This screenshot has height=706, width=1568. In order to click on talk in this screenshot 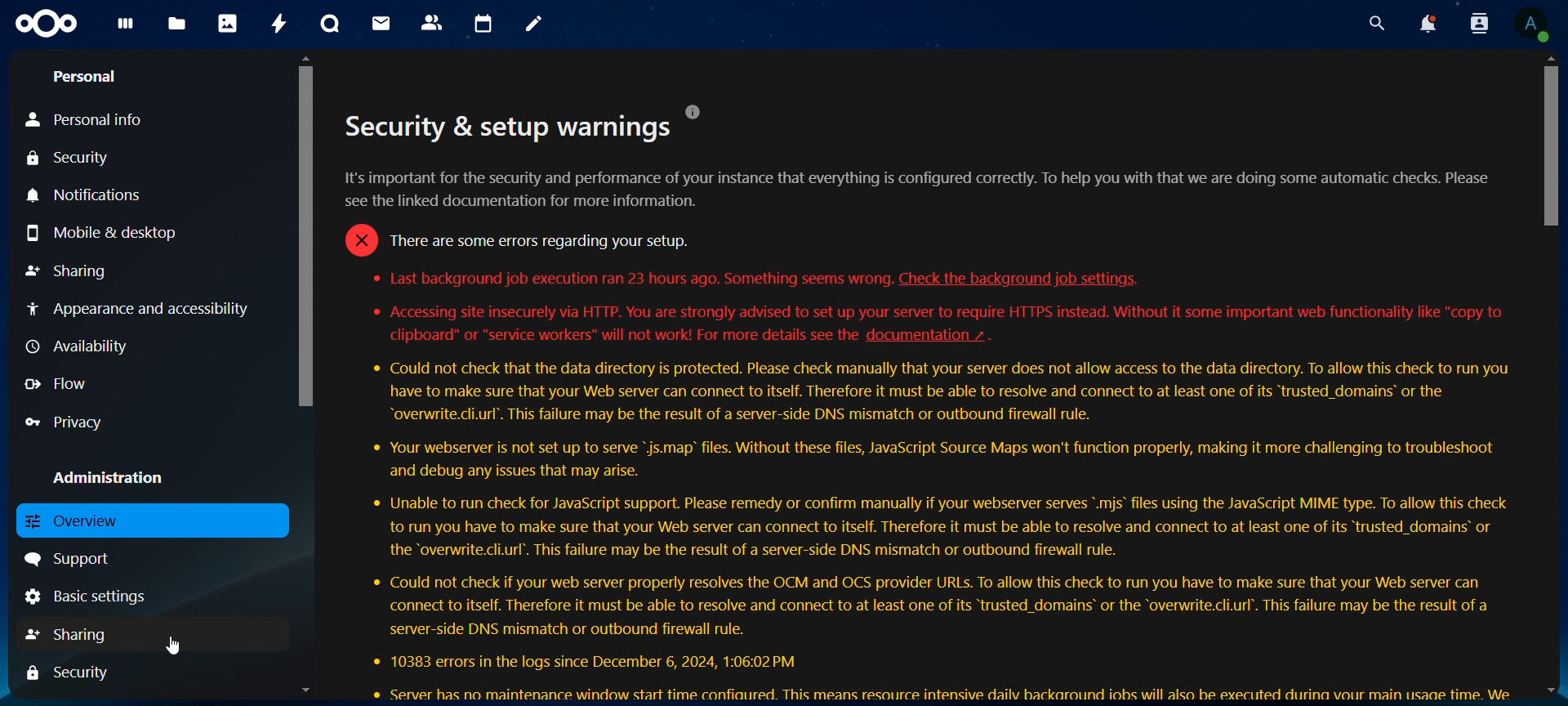, I will do `click(329, 22)`.